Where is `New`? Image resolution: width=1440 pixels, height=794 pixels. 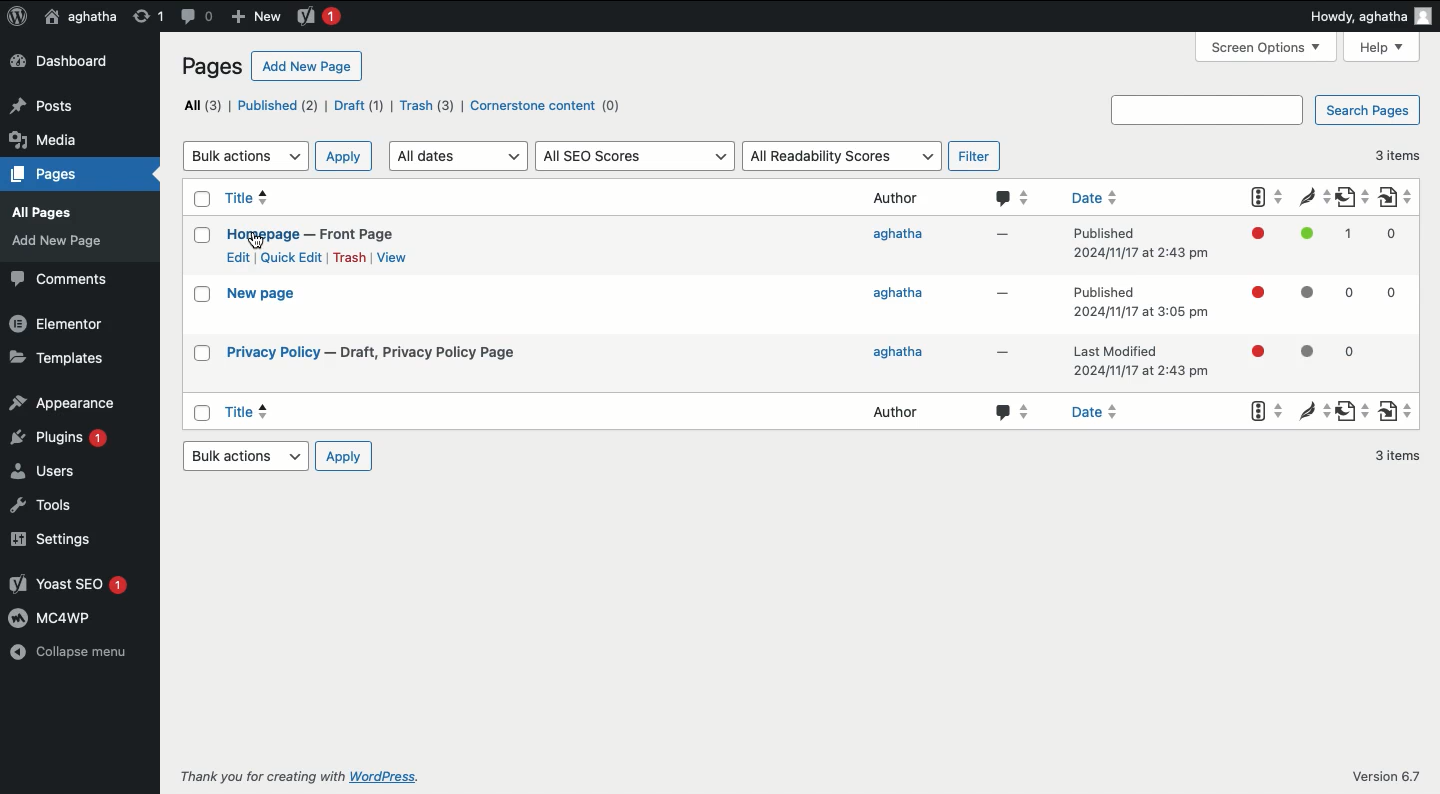
New is located at coordinates (256, 16).